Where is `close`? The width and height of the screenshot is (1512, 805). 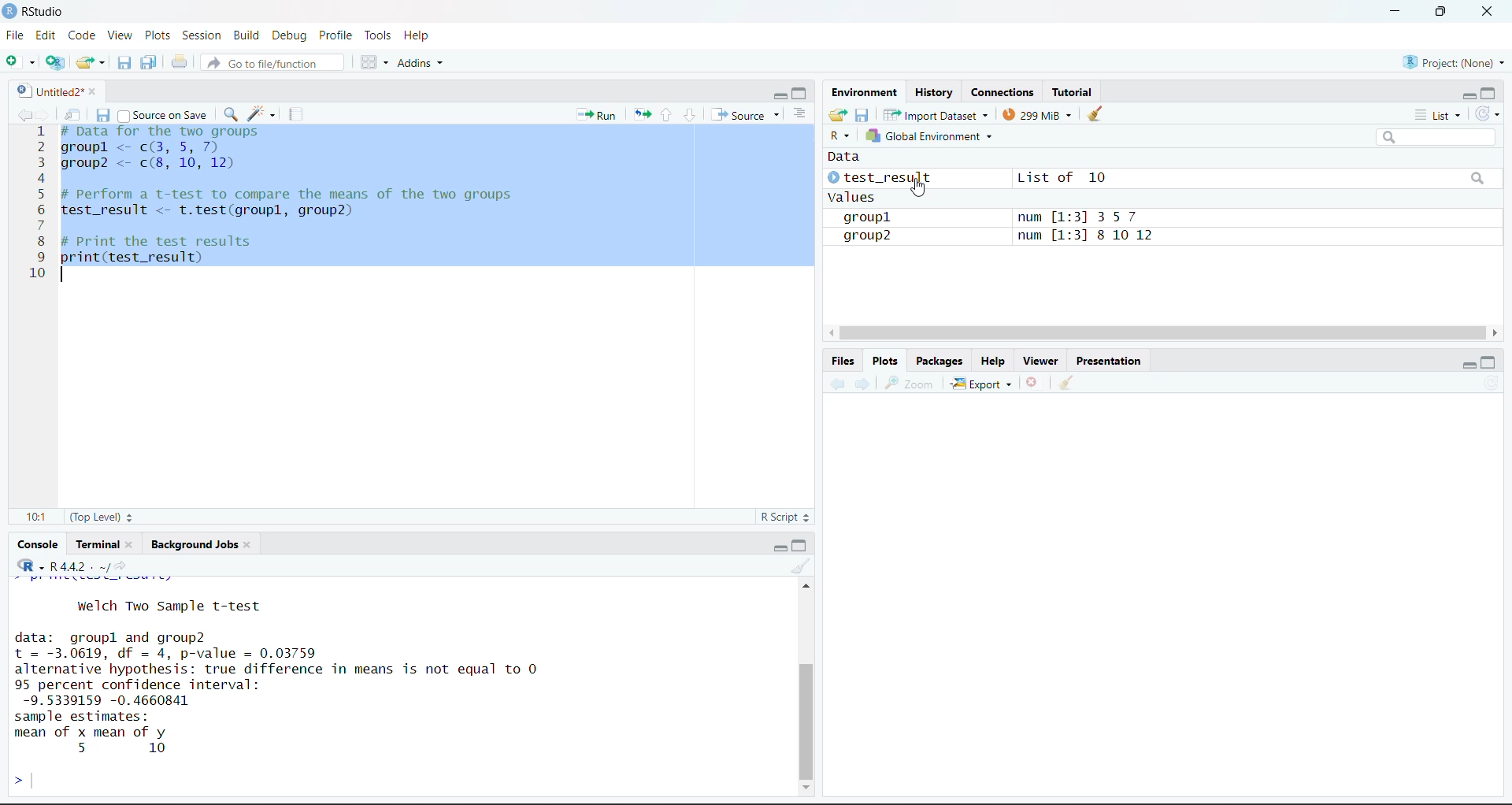
close is located at coordinates (95, 91).